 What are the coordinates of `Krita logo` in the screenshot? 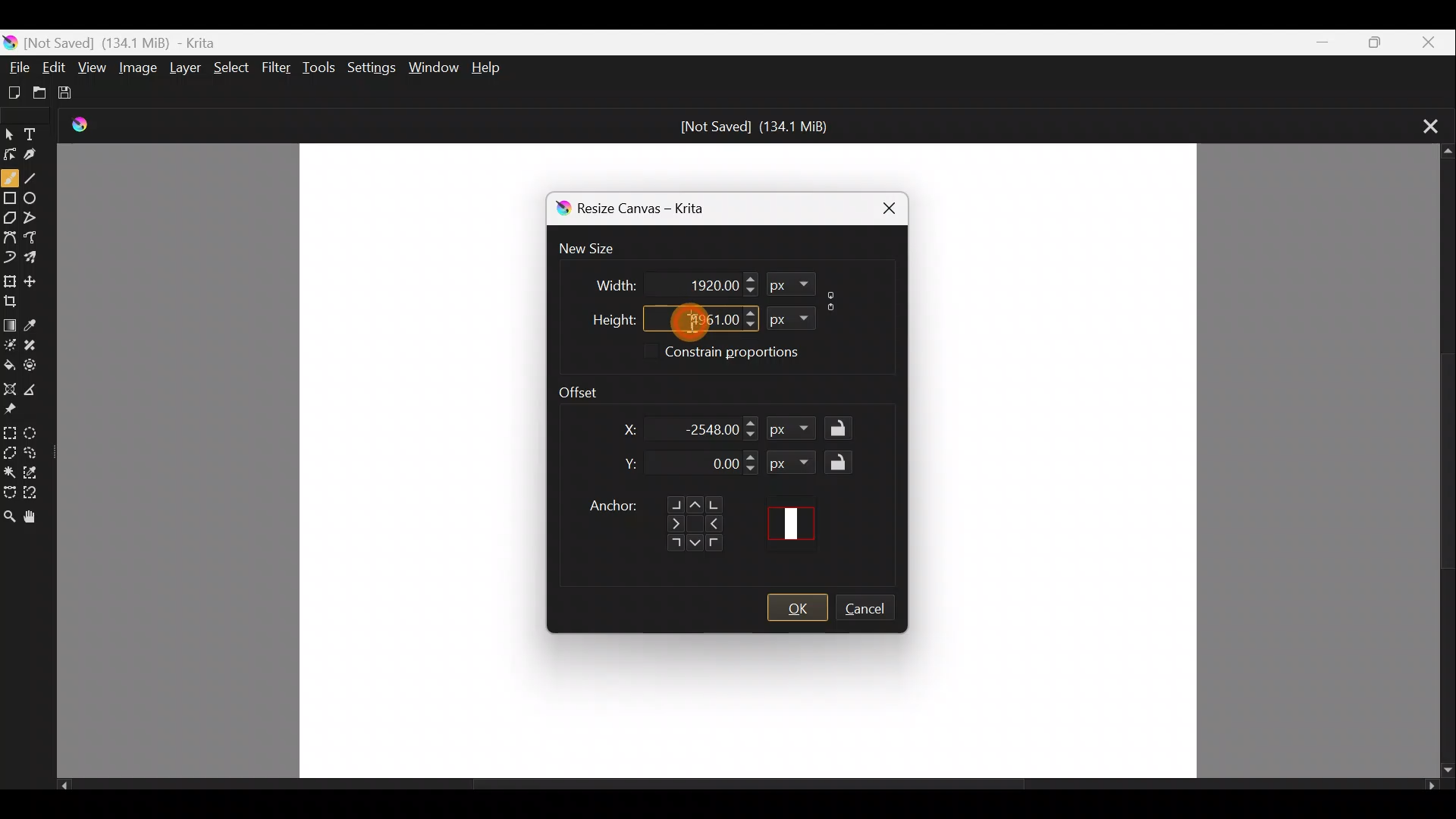 It's located at (560, 209).